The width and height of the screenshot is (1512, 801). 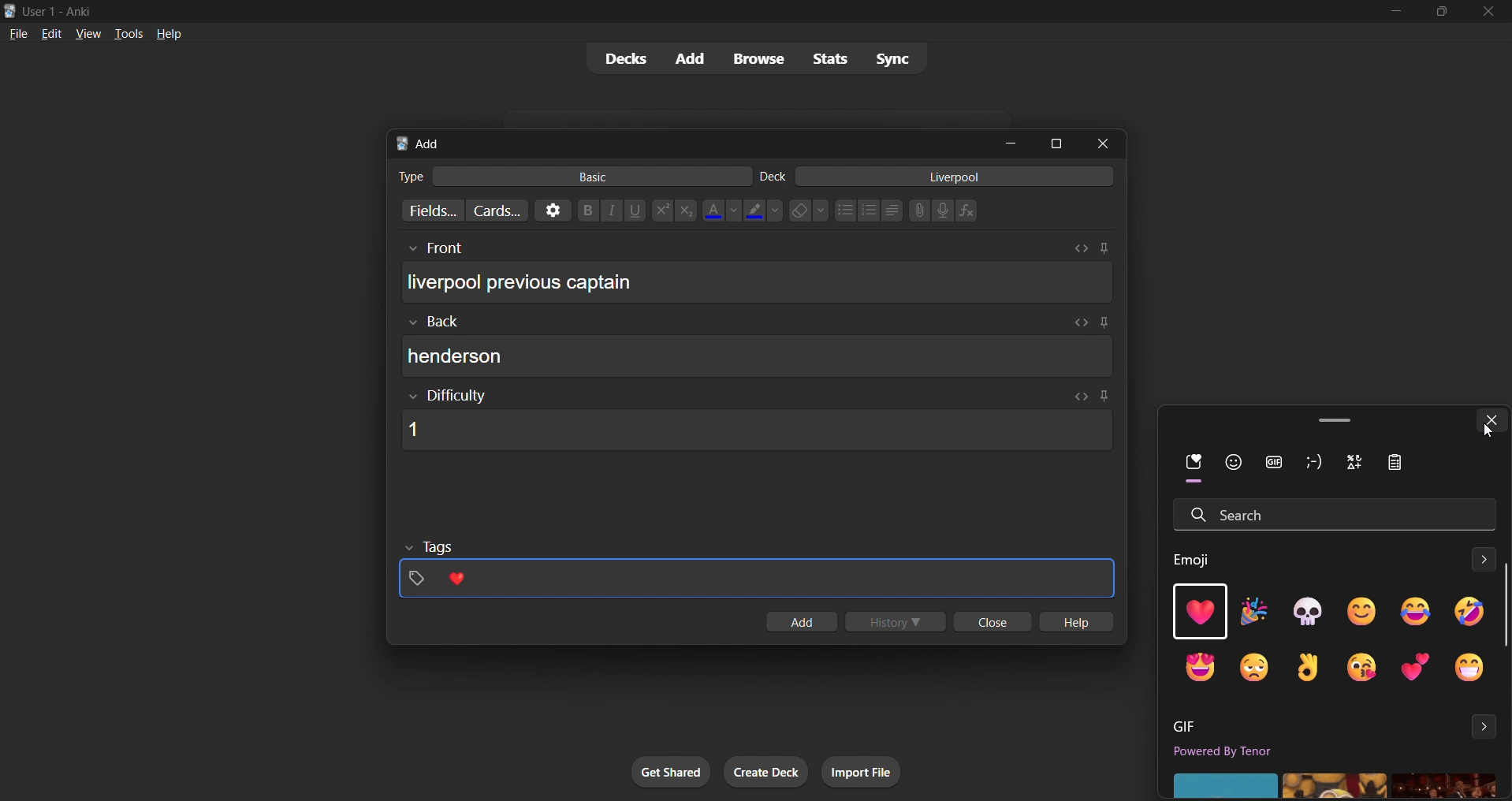 I want to click on icon, so click(x=1314, y=463).